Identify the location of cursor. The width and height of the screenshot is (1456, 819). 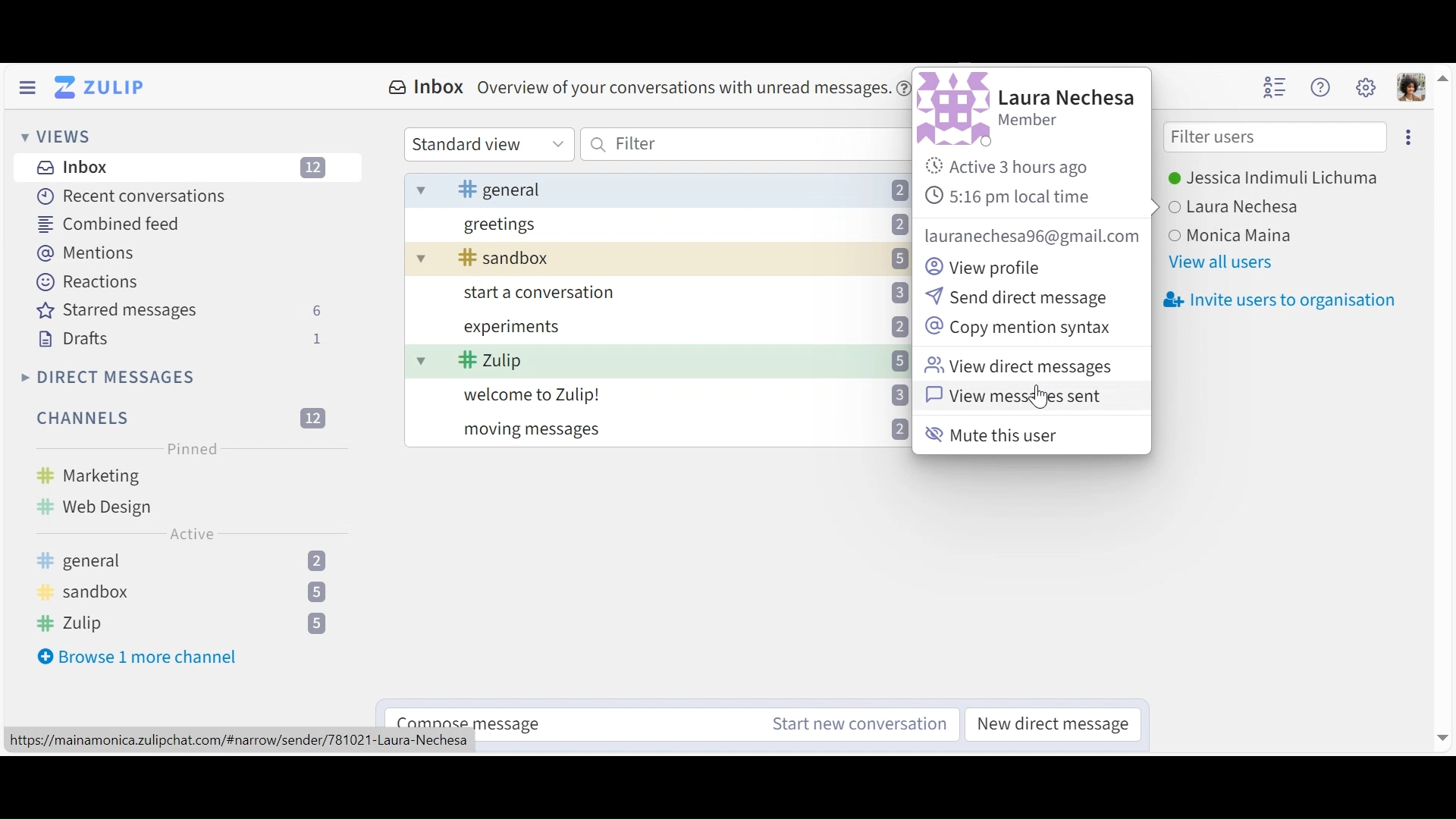
(1040, 401).